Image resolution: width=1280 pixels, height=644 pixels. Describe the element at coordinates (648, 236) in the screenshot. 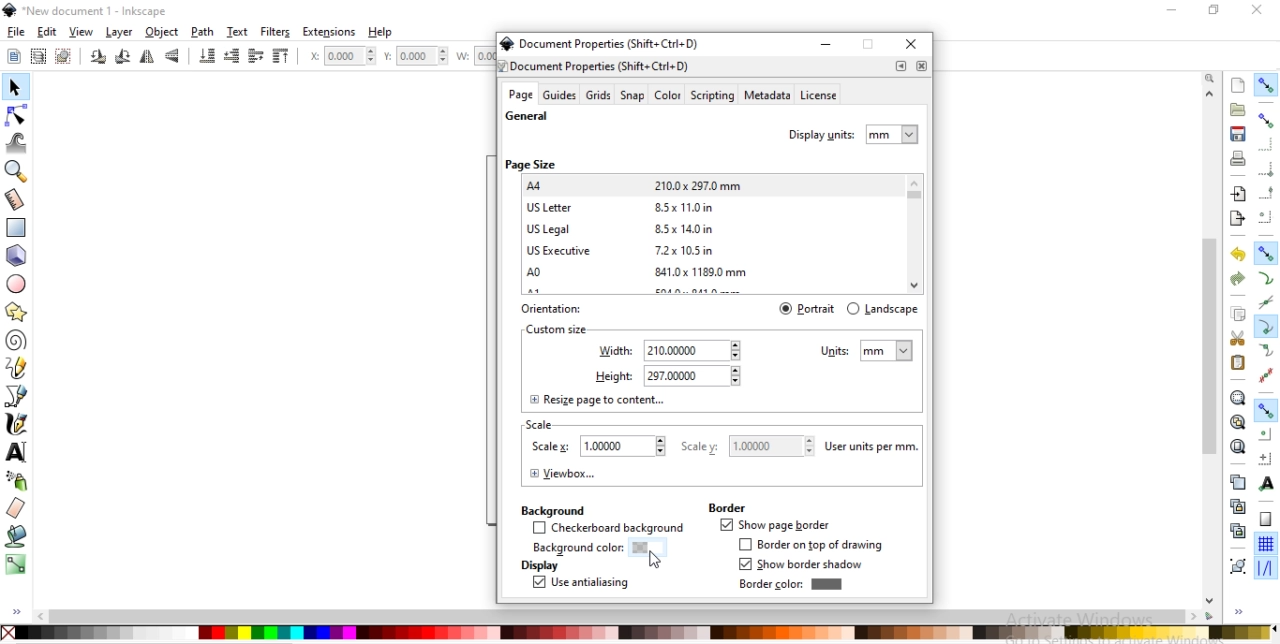

I see `A4 210.0*297.0mm —Us Letter 85x11.0in US Legal 8.5x14.0in US Executive 7.2x 10.5in A0 841.0x 1189.00 mm` at that location.